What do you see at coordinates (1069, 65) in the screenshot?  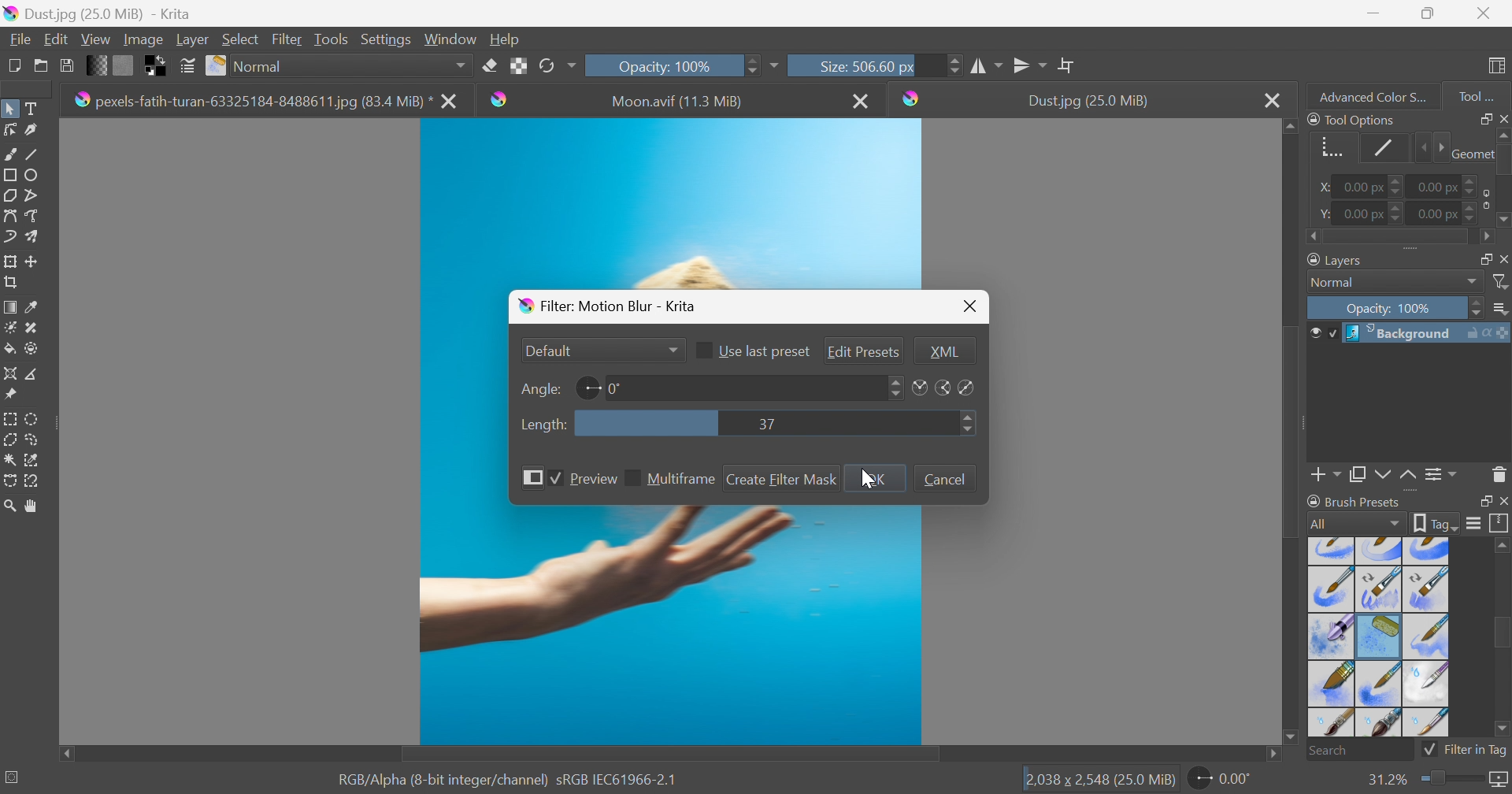 I see `Wrap around mode` at bounding box center [1069, 65].